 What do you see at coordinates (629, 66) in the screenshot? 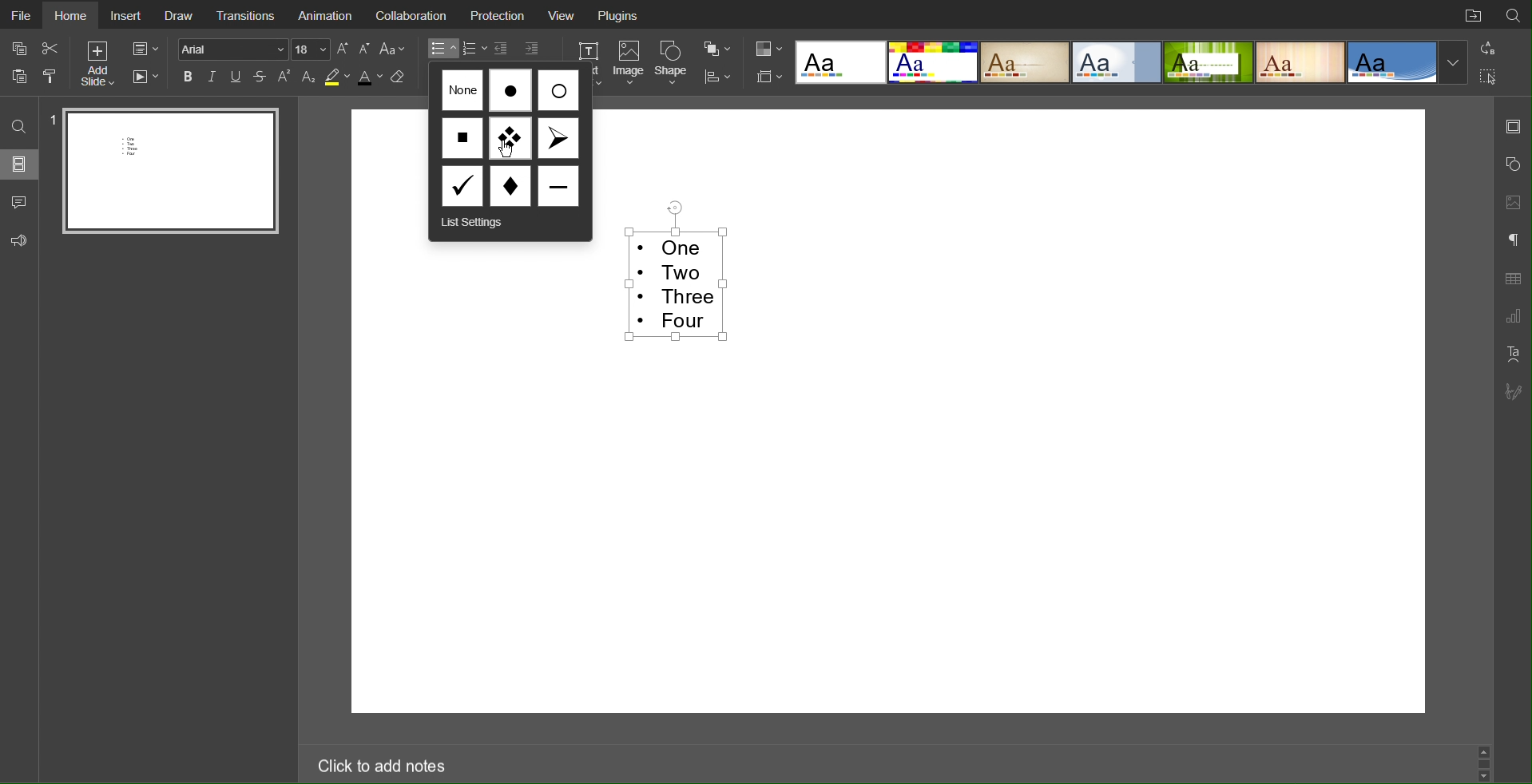
I see `Image` at bounding box center [629, 66].